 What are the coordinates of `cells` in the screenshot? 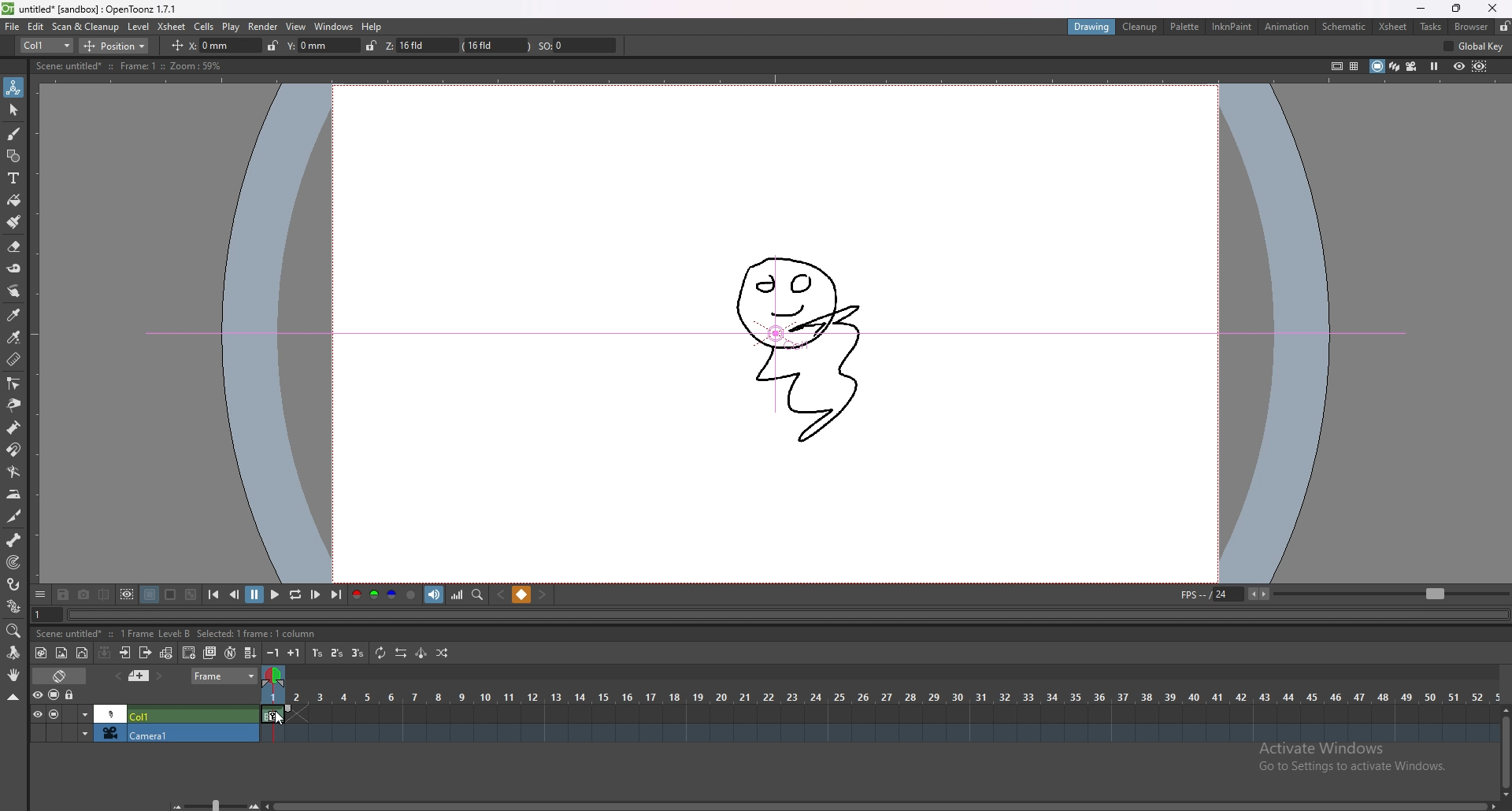 It's located at (204, 26).